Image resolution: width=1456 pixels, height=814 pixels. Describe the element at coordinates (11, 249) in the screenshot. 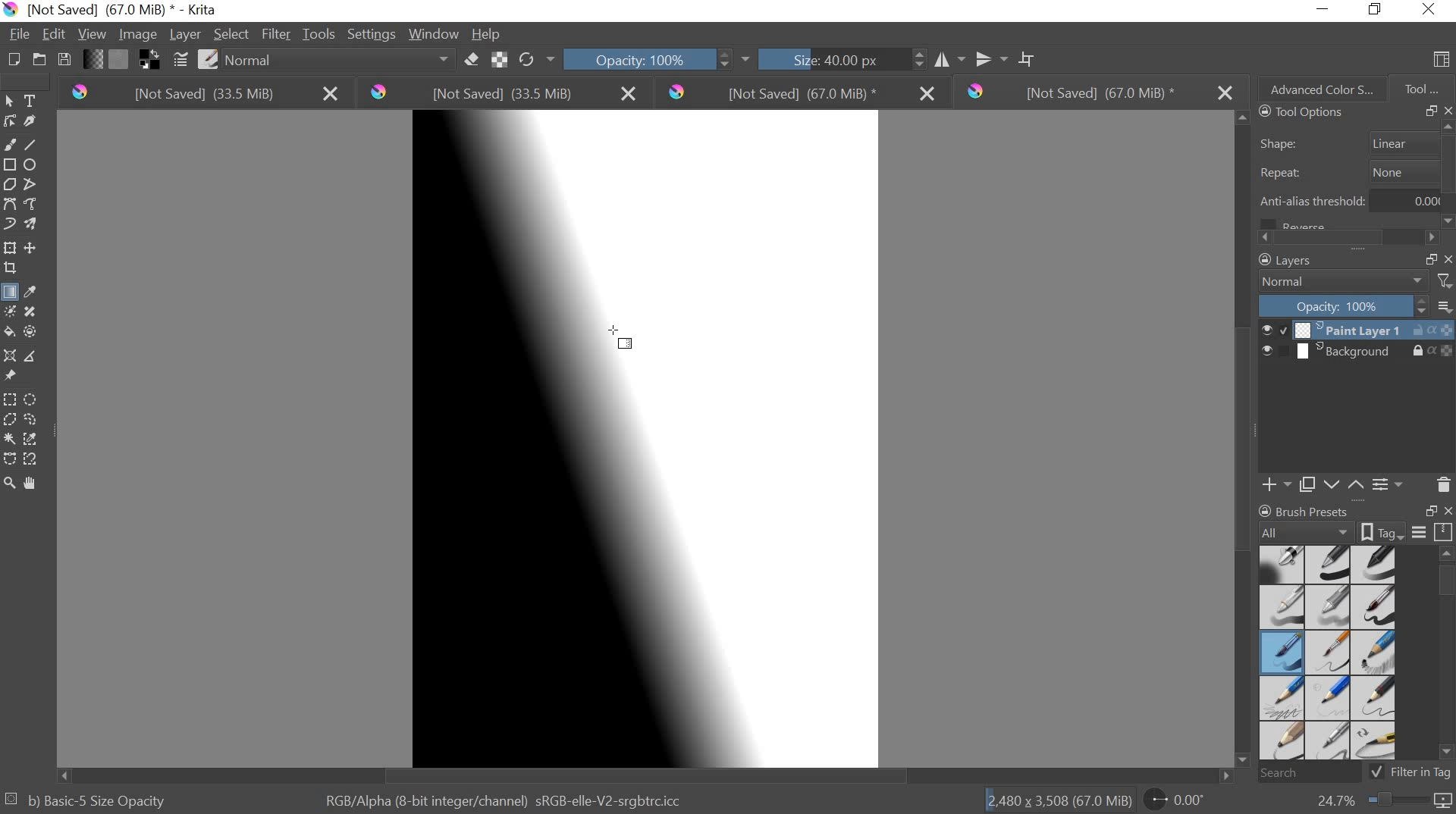

I see `tranform layer` at that location.